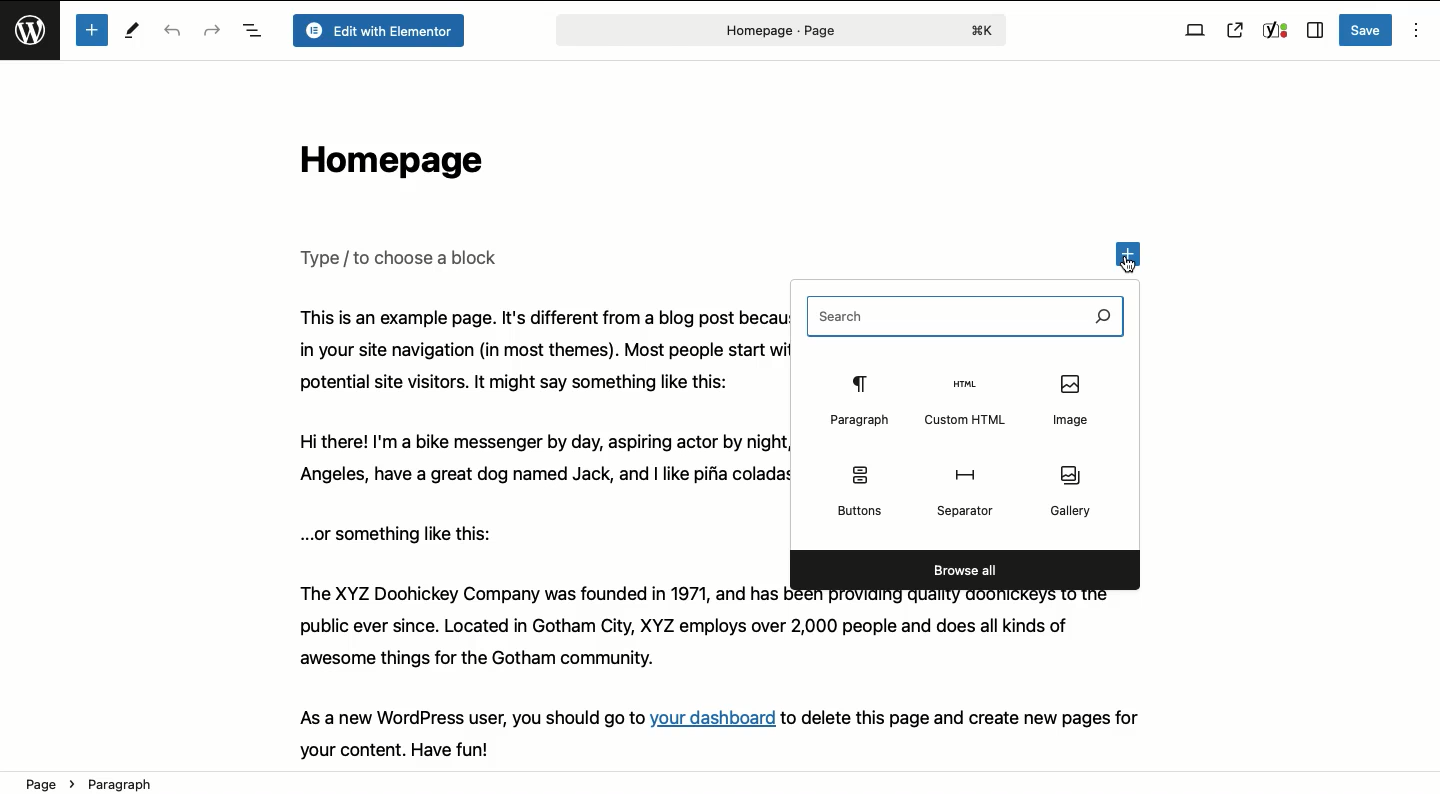 The height and width of the screenshot is (794, 1440). Describe the element at coordinates (966, 569) in the screenshot. I see `Browse all` at that location.